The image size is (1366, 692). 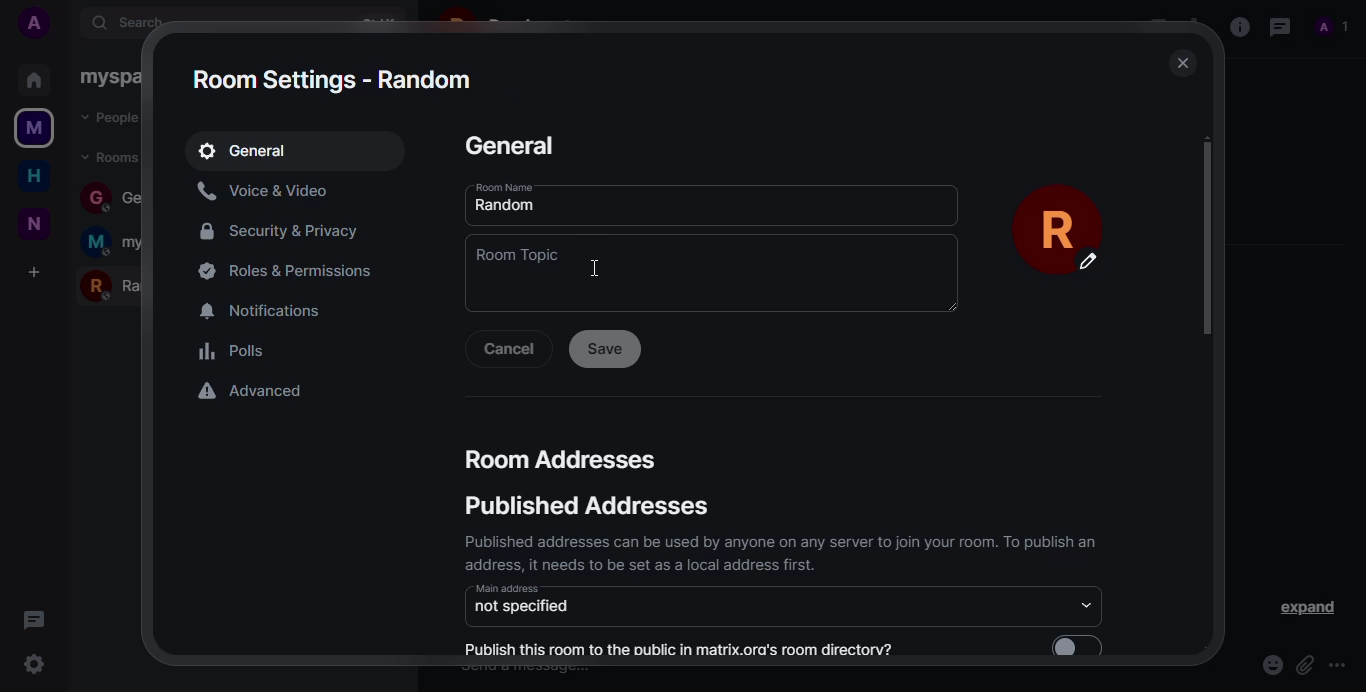 What do you see at coordinates (138, 22) in the screenshot?
I see `search` at bounding box center [138, 22].